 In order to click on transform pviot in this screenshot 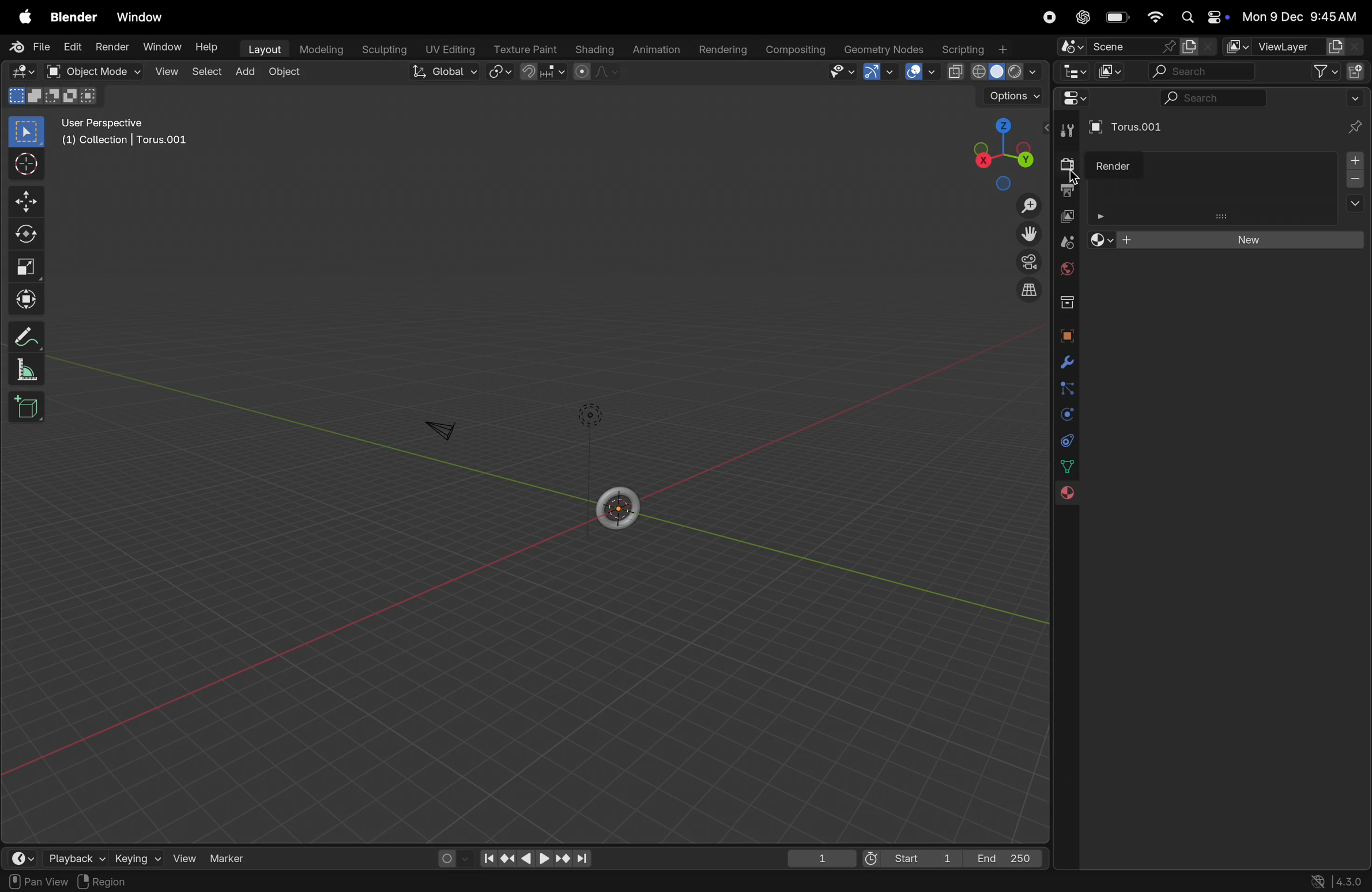, I will do `click(496, 75)`.